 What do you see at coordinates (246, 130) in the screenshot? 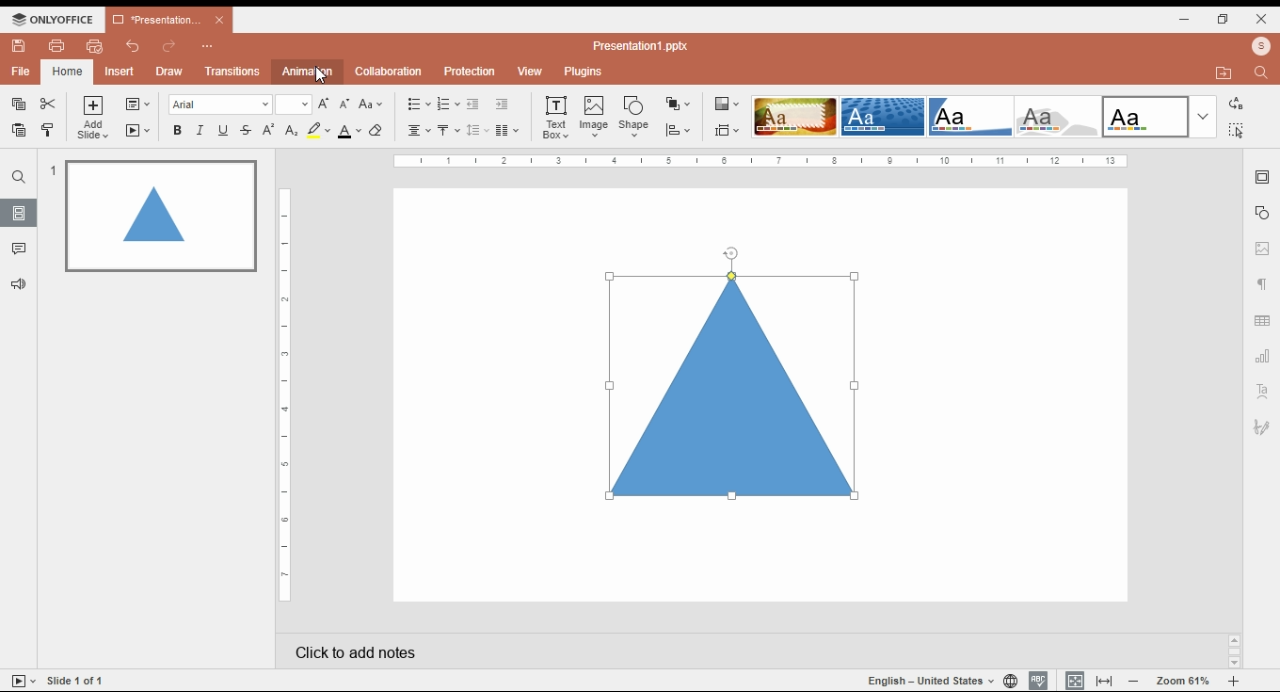
I see `strikethrough` at bounding box center [246, 130].